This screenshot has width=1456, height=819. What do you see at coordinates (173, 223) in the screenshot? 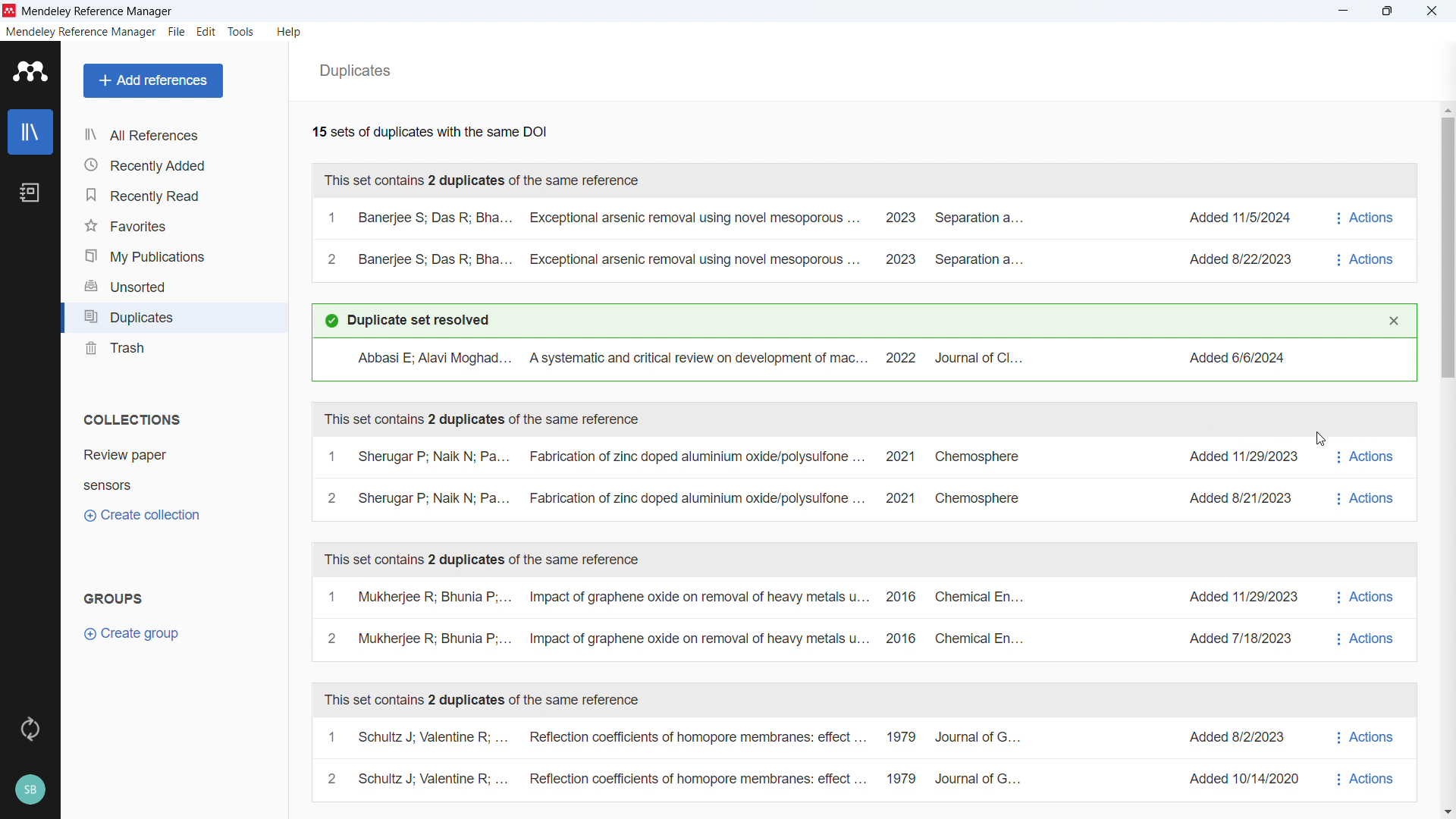
I see `Favourites ` at bounding box center [173, 223].